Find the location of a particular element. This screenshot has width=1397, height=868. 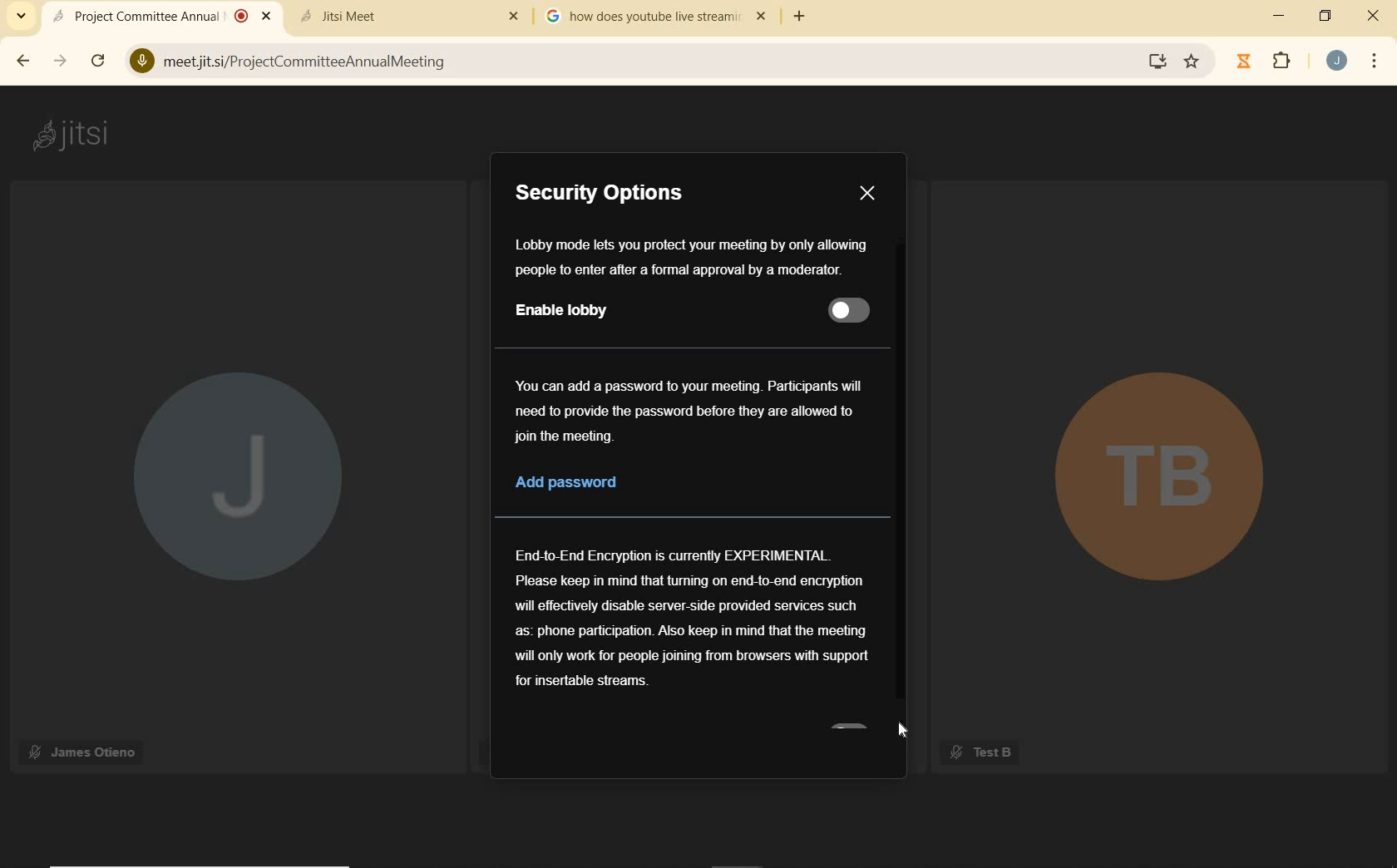

TB is located at coordinates (1158, 476).